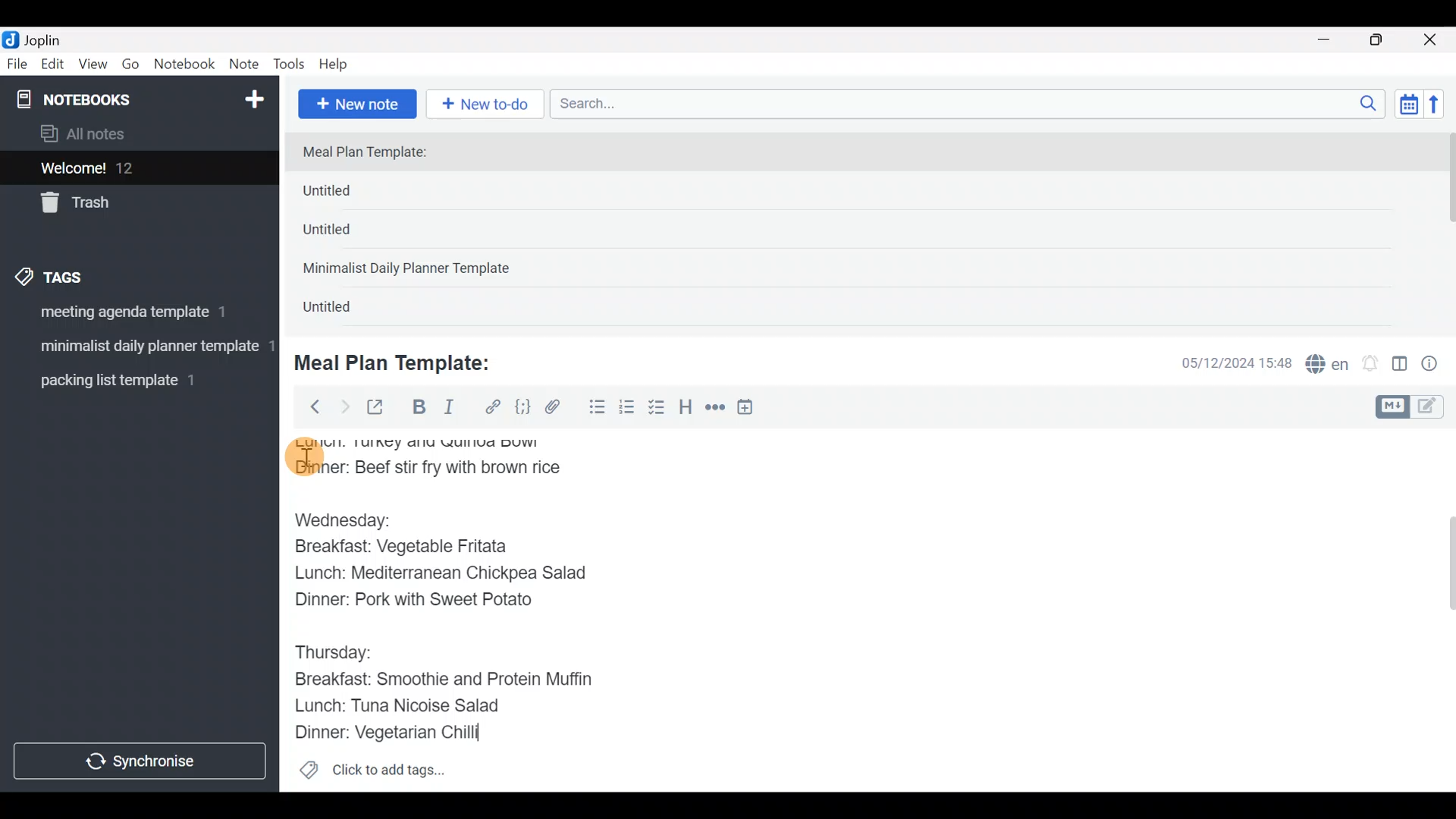 Image resolution: width=1456 pixels, height=819 pixels. What do you see at coordinates (1225, 362) in the screenshot?
I see `Date & time` at bounding box center [1225, 362].